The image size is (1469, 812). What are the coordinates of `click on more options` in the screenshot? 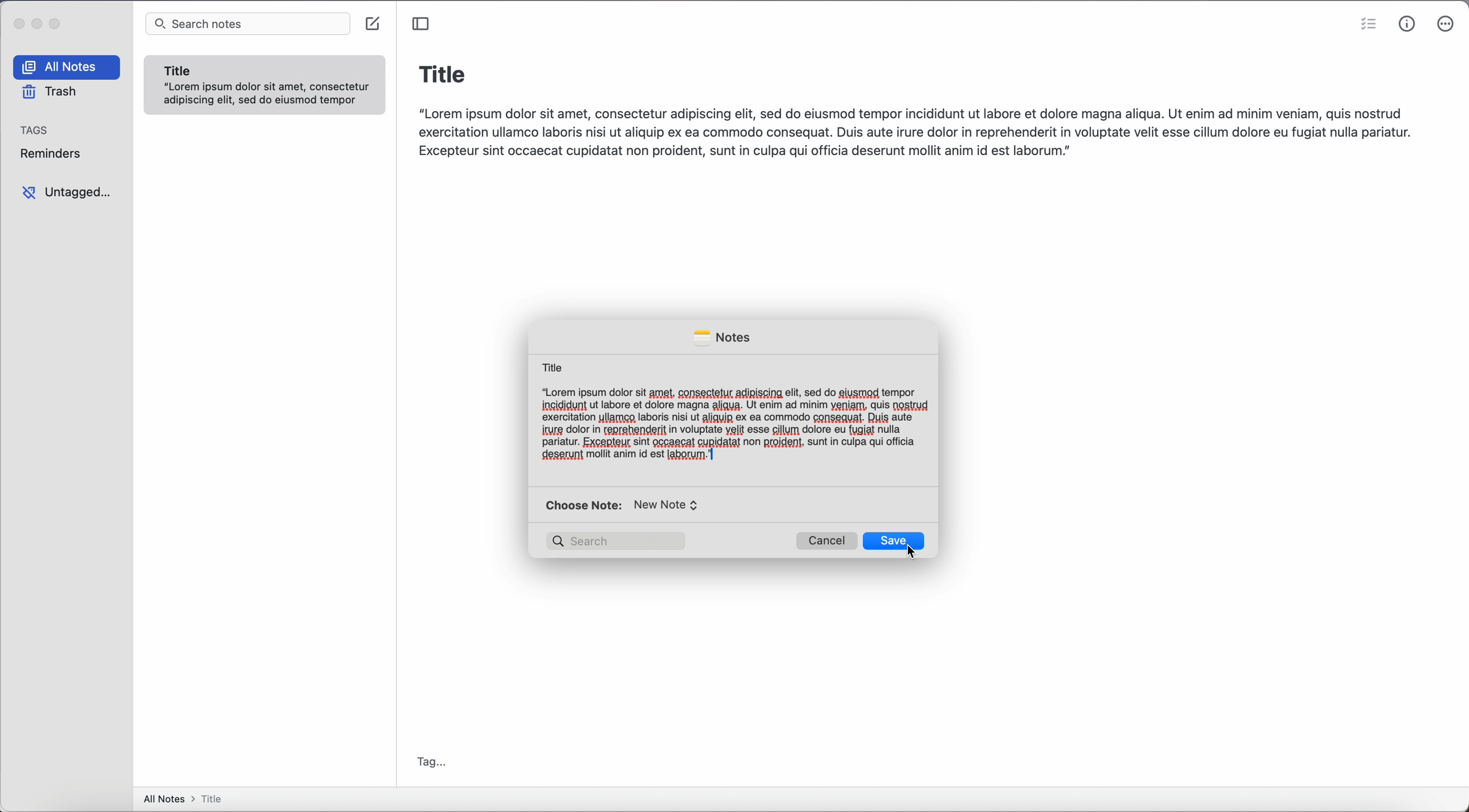 It's located at (1447, 24).